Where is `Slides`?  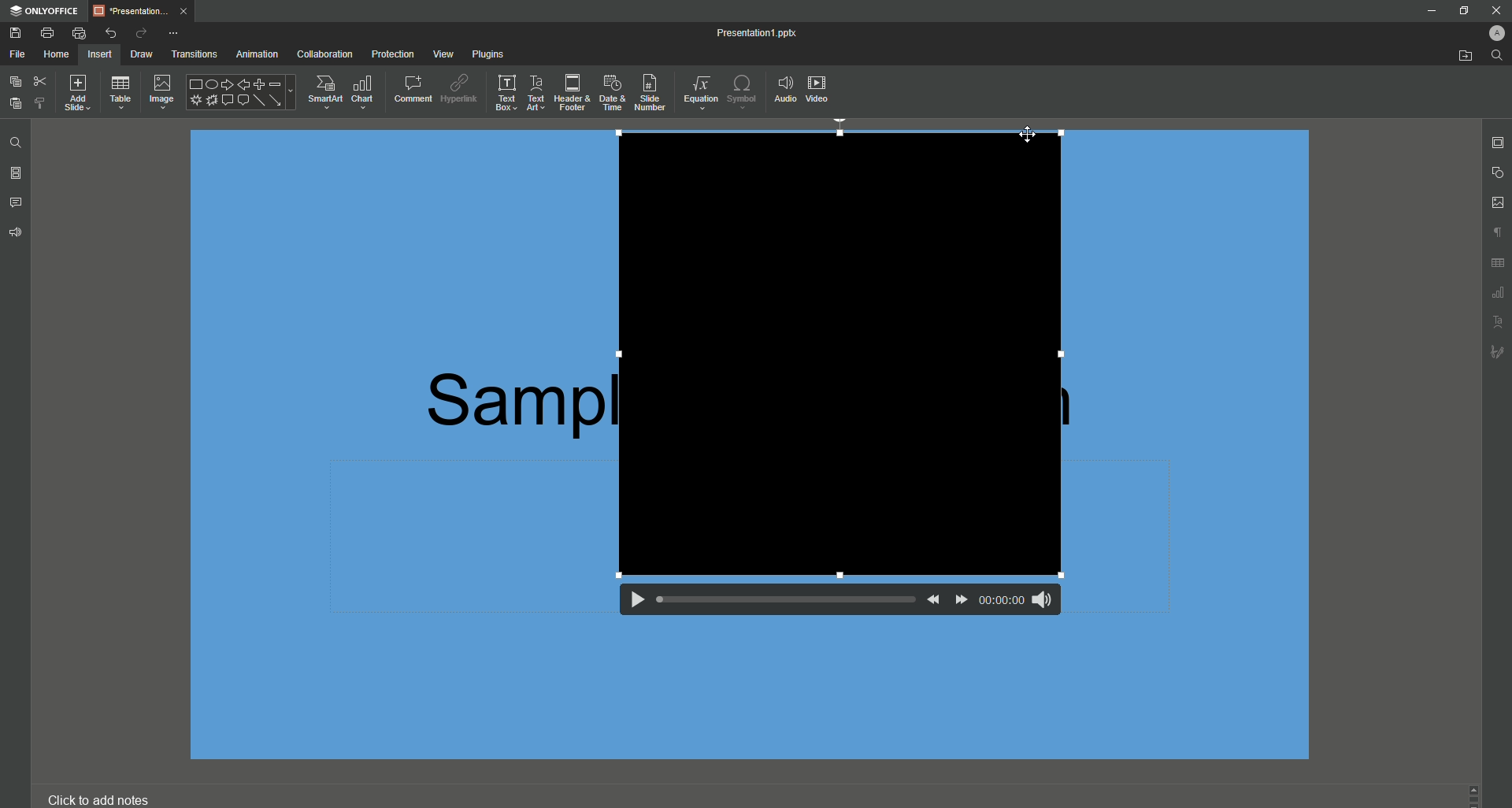 Slides is located at coordinates (16, 175).